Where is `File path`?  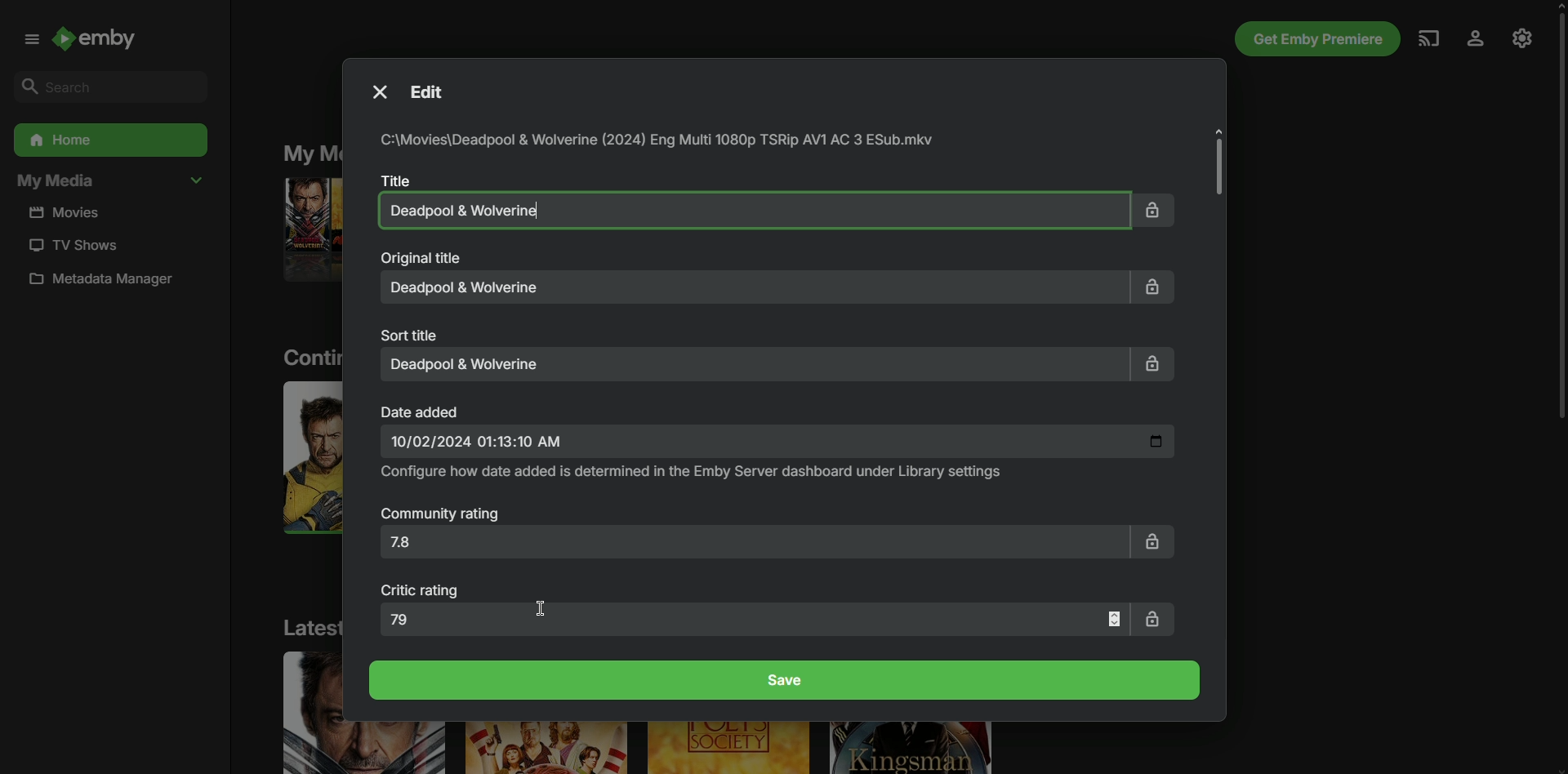
File path is located at coordinates (663, 141).